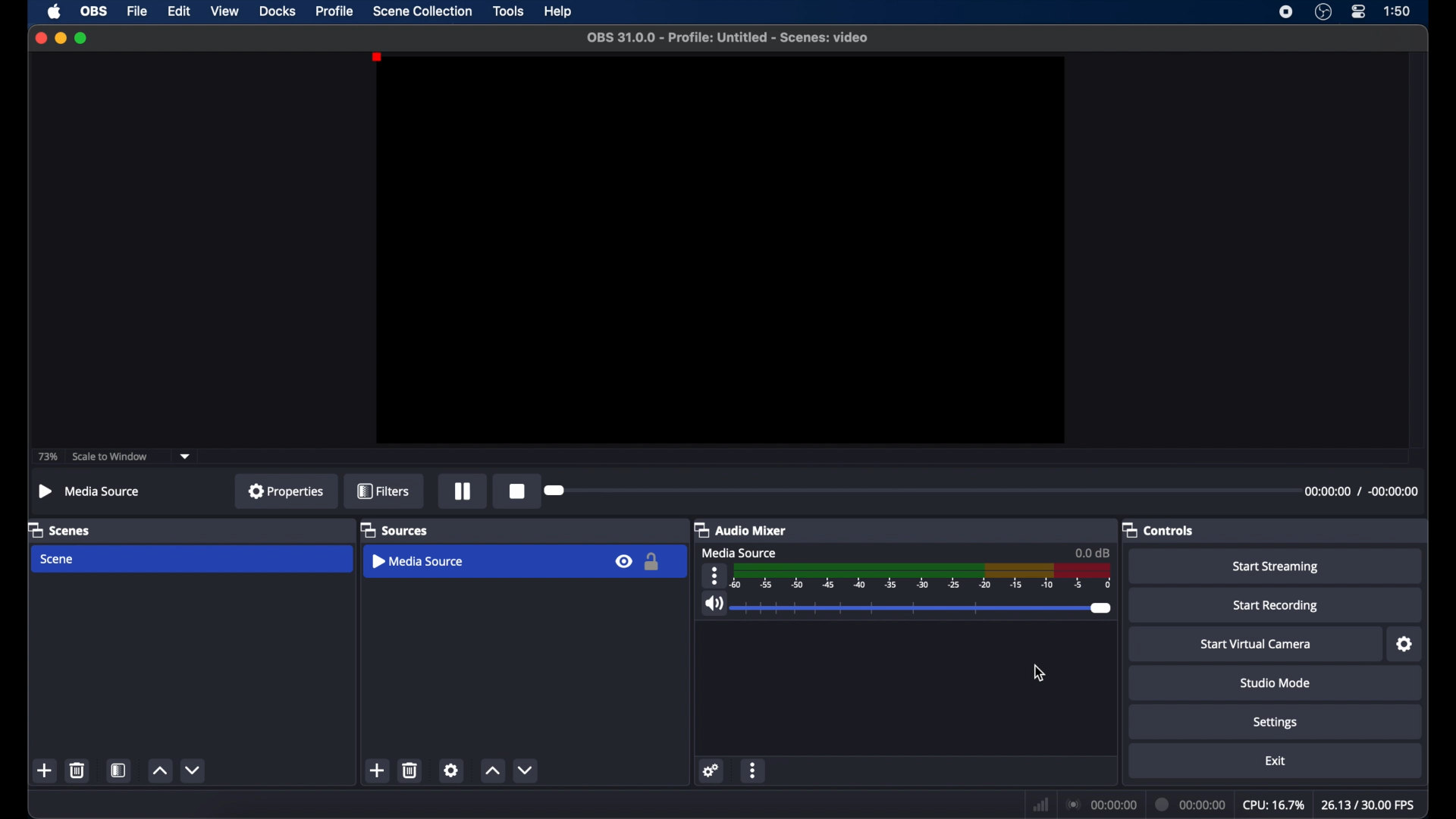 This screenshot has height=819, width=1456. What do you see at coordinates (714, 604) in the screenshot?
I see `volume` at bounding box center [714, 604].